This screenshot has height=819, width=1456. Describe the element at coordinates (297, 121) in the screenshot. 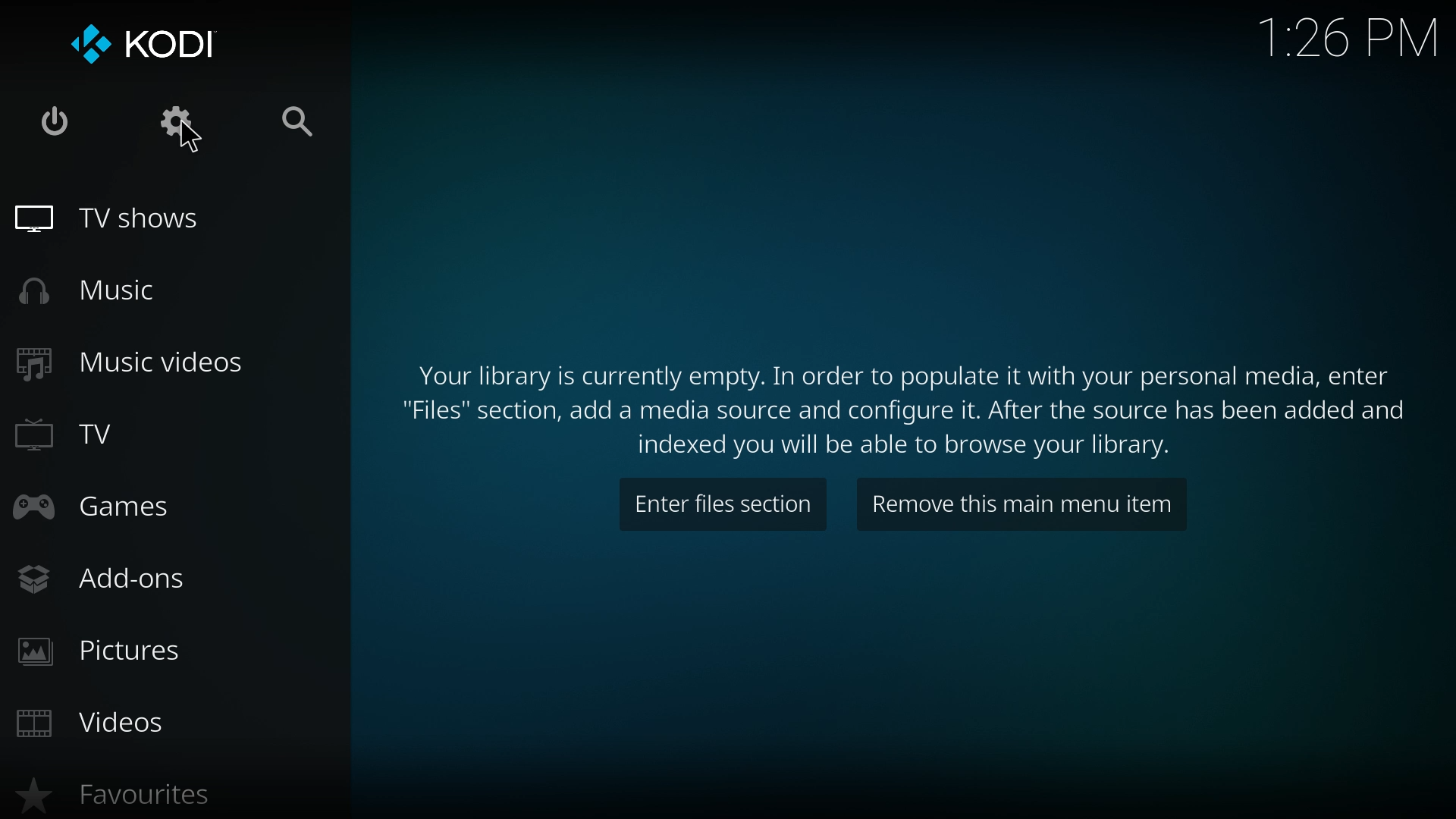

I see `search` at that location.